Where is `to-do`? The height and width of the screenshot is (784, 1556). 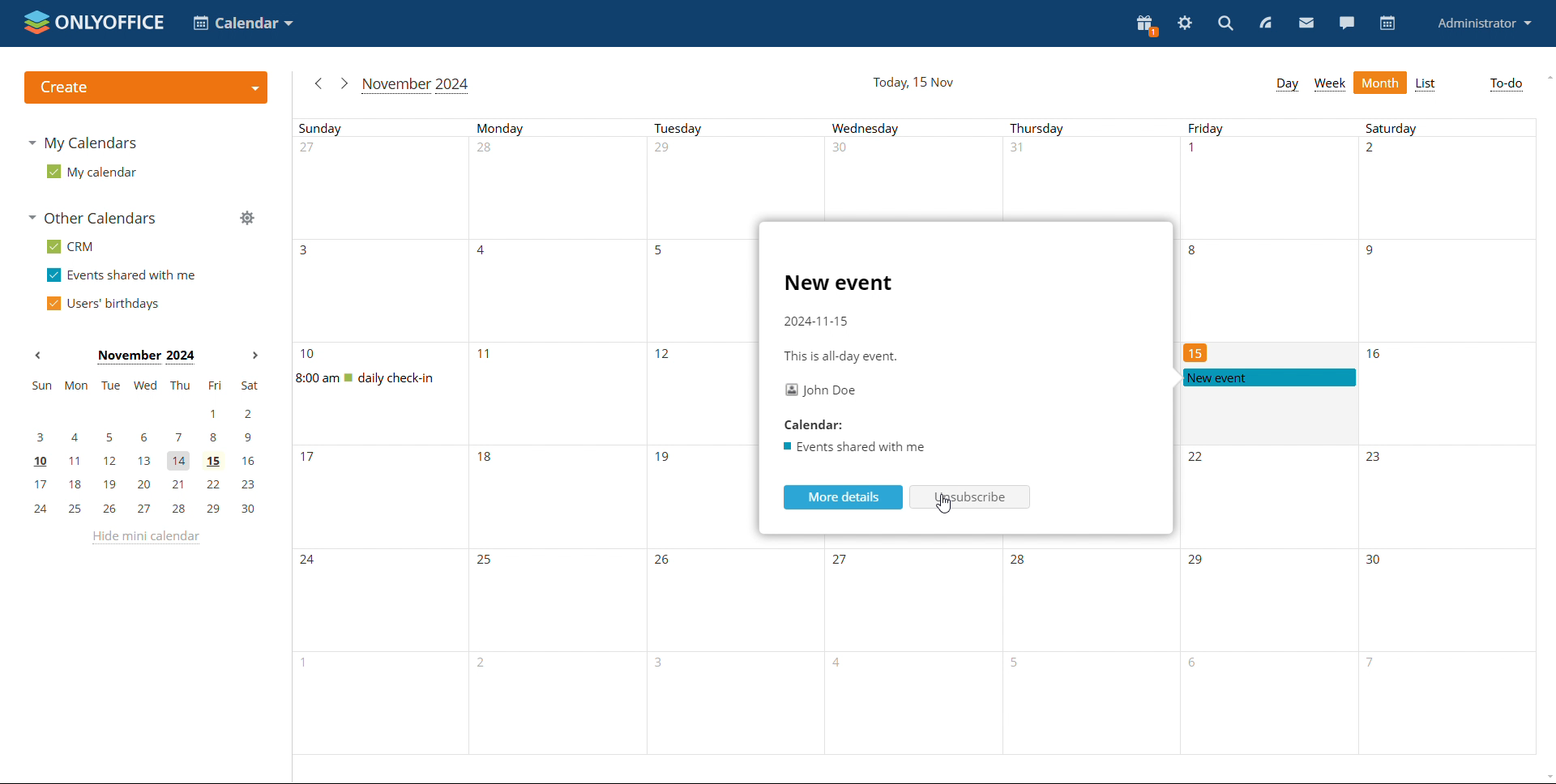 to-do is located at coordinates (1505, 85).